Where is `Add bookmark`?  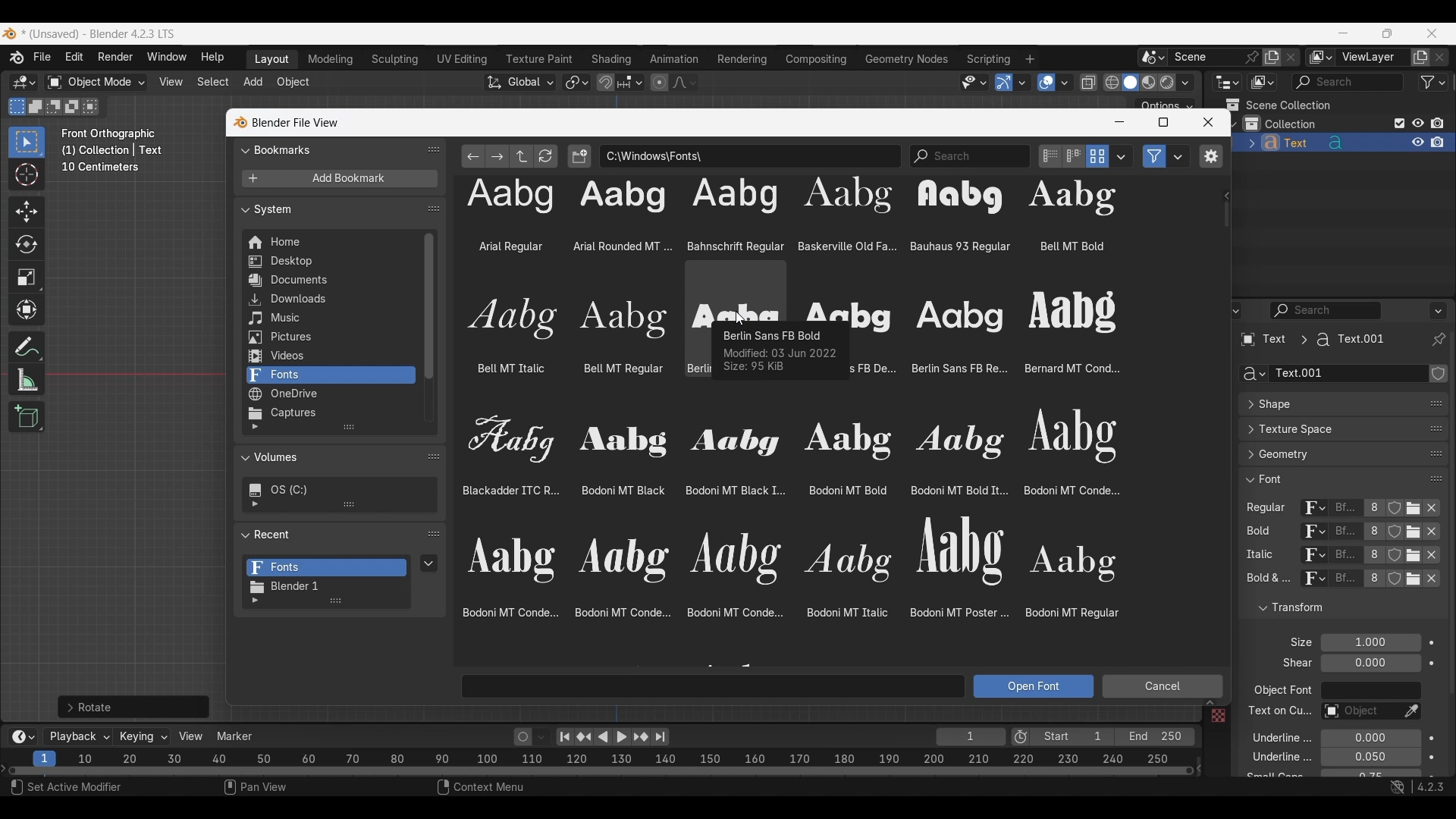
Add bookmark is located at coordinates (339, 179).